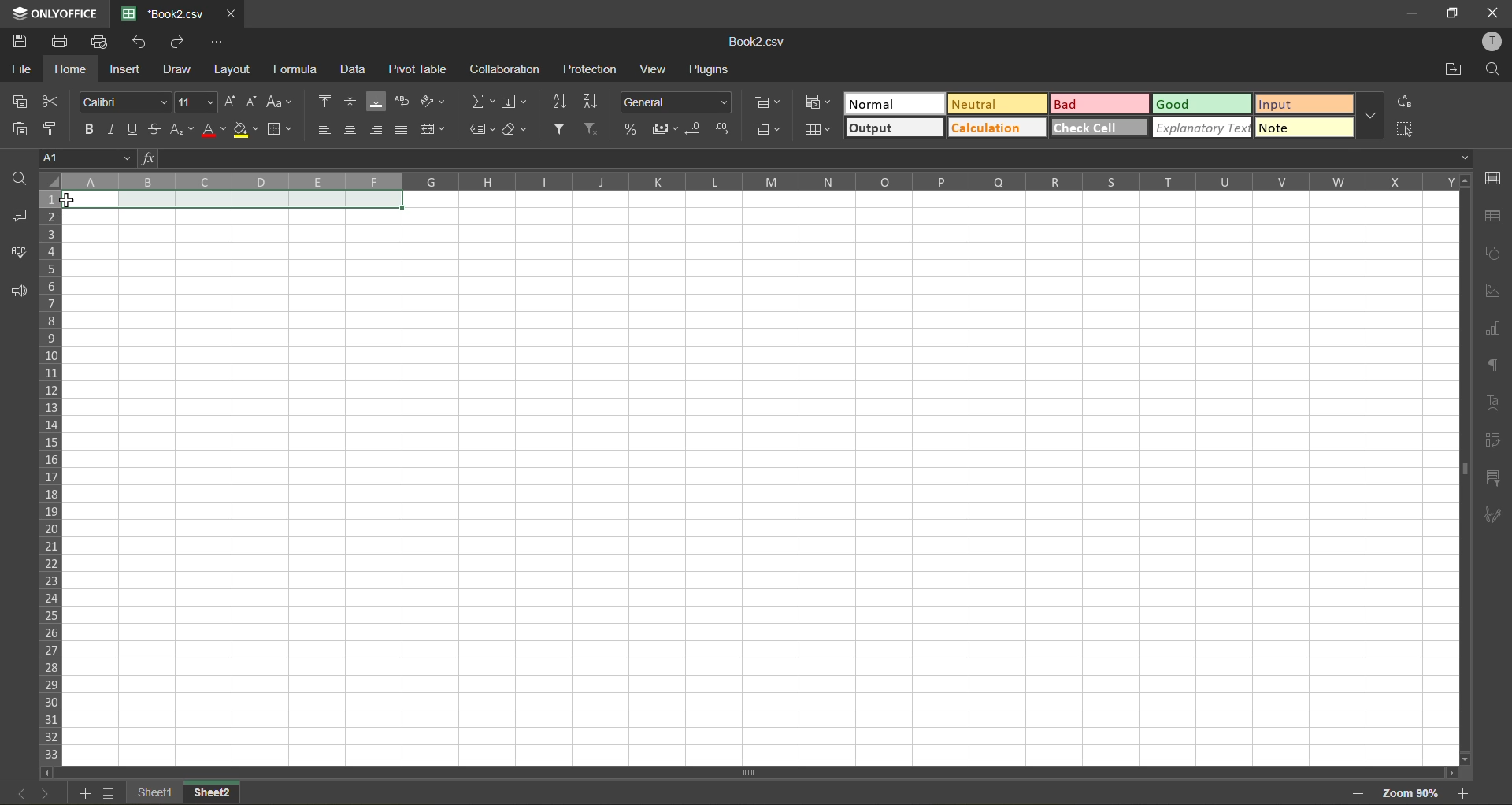  What do you see at coordinates (1416, 793) in the screenshot?
I see `zoom factor` at bounding box center [1416, 793].